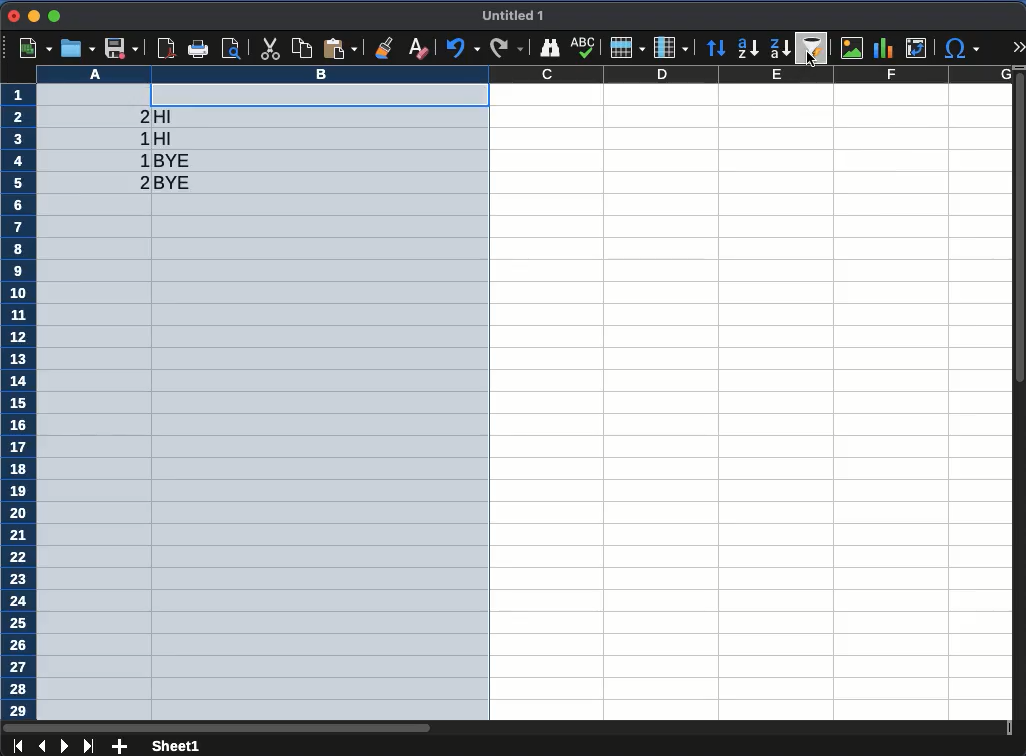  I want to click on pdf viewer, so click(169, 48).